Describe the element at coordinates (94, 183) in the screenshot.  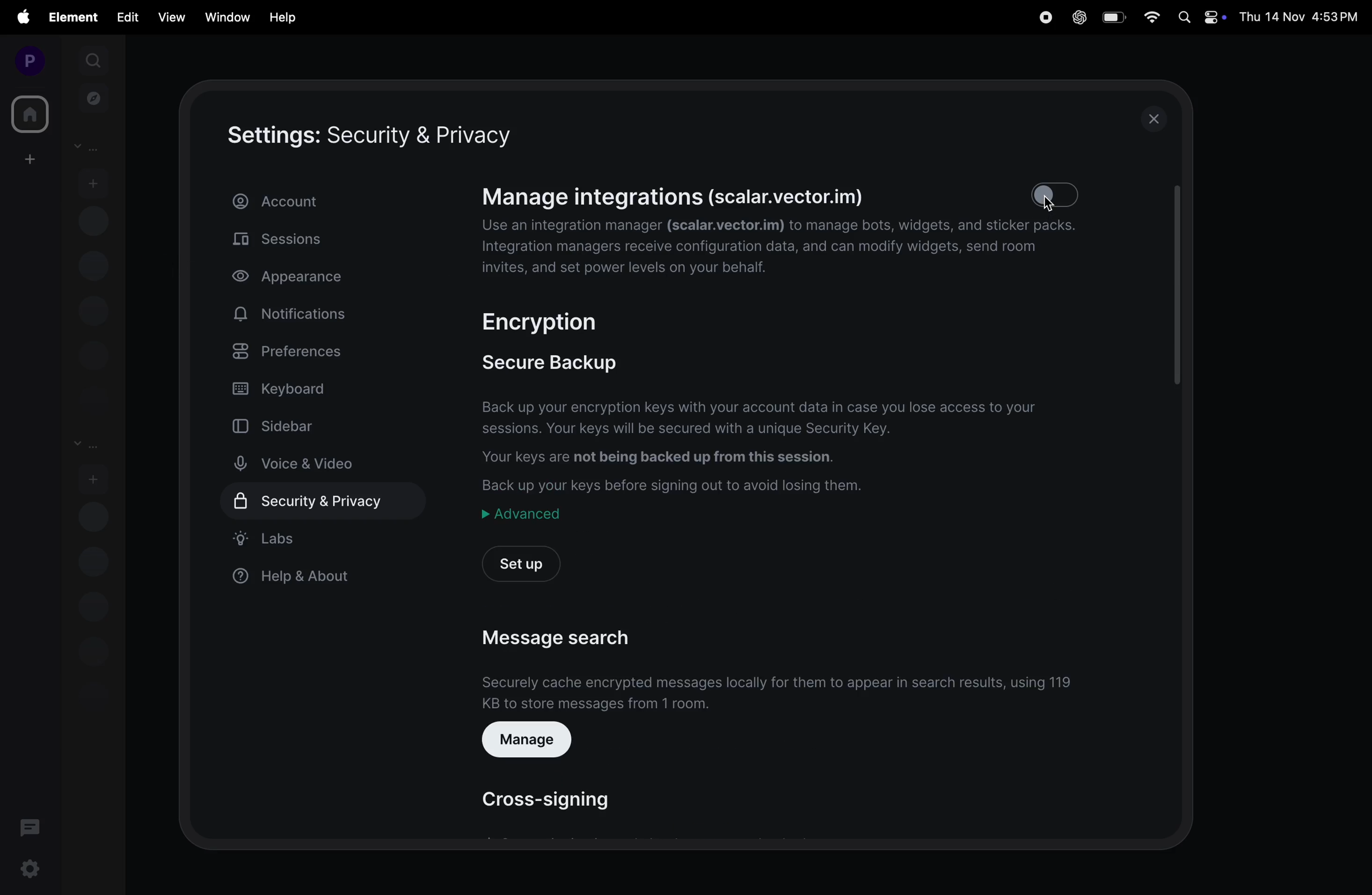
I see `start chat` at that location.